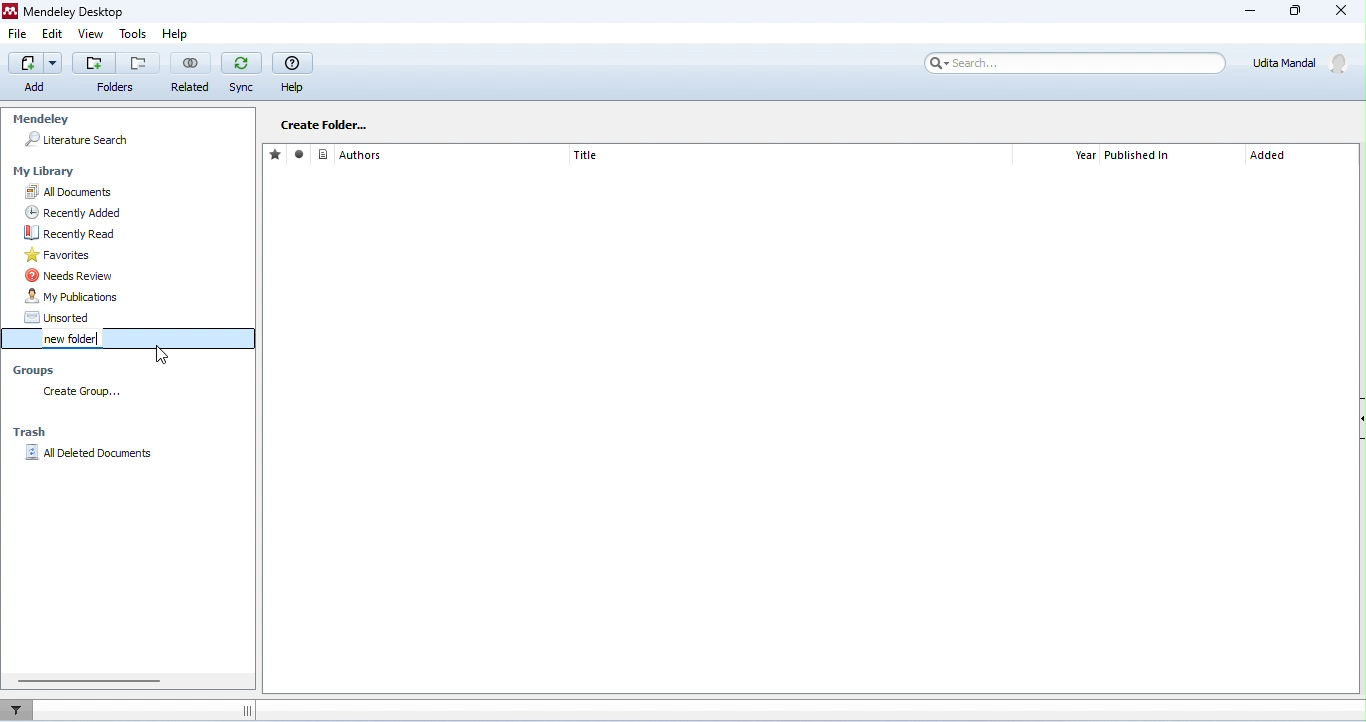 The width and height of the screenshot is (1366, 722). What do you see at coordinates (1085, 156) in the screenshot?
I see `year` at bounding box center [1085, 156].